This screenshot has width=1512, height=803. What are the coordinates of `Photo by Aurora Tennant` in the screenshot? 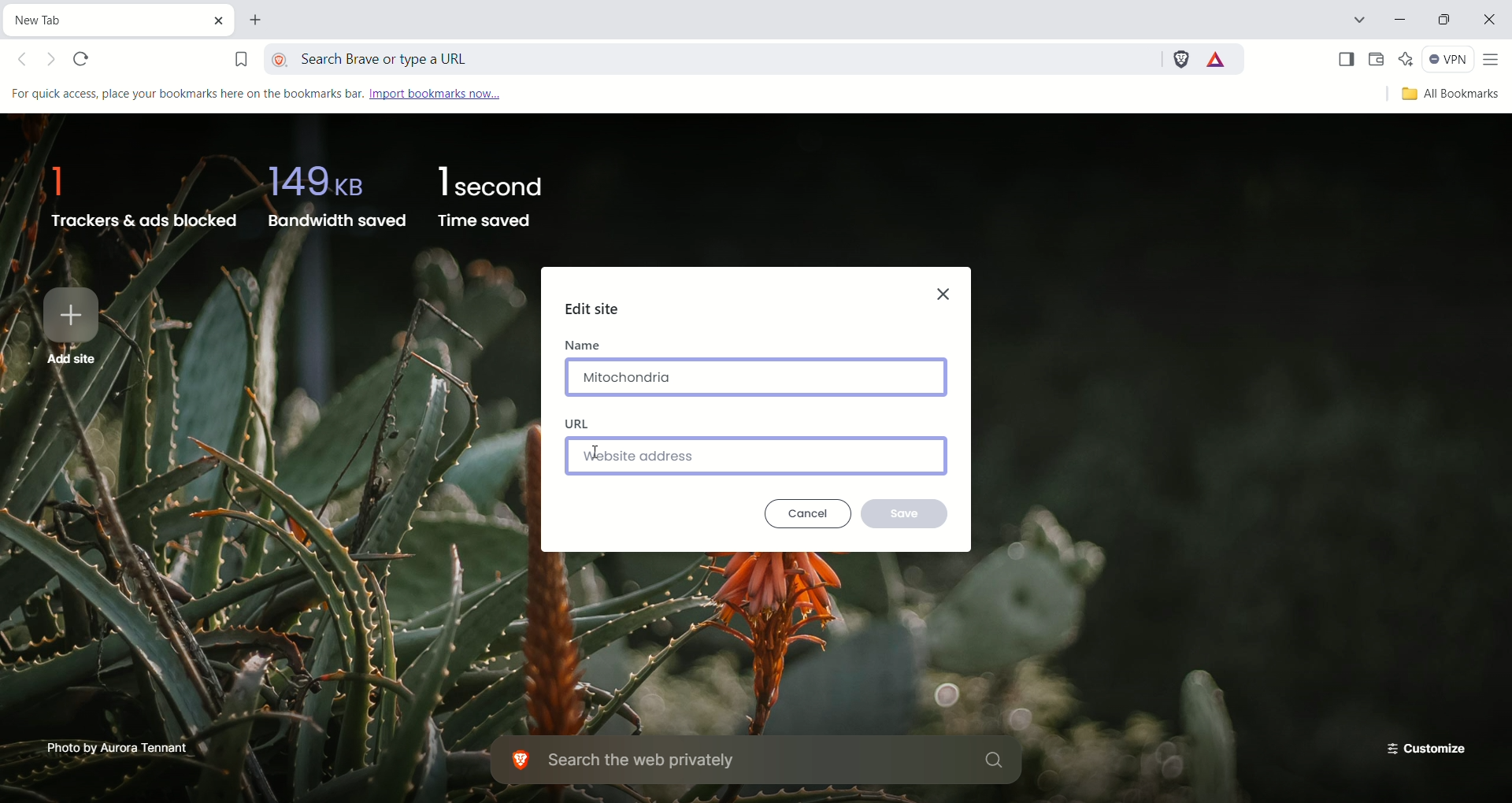 It's located at (119, 746).